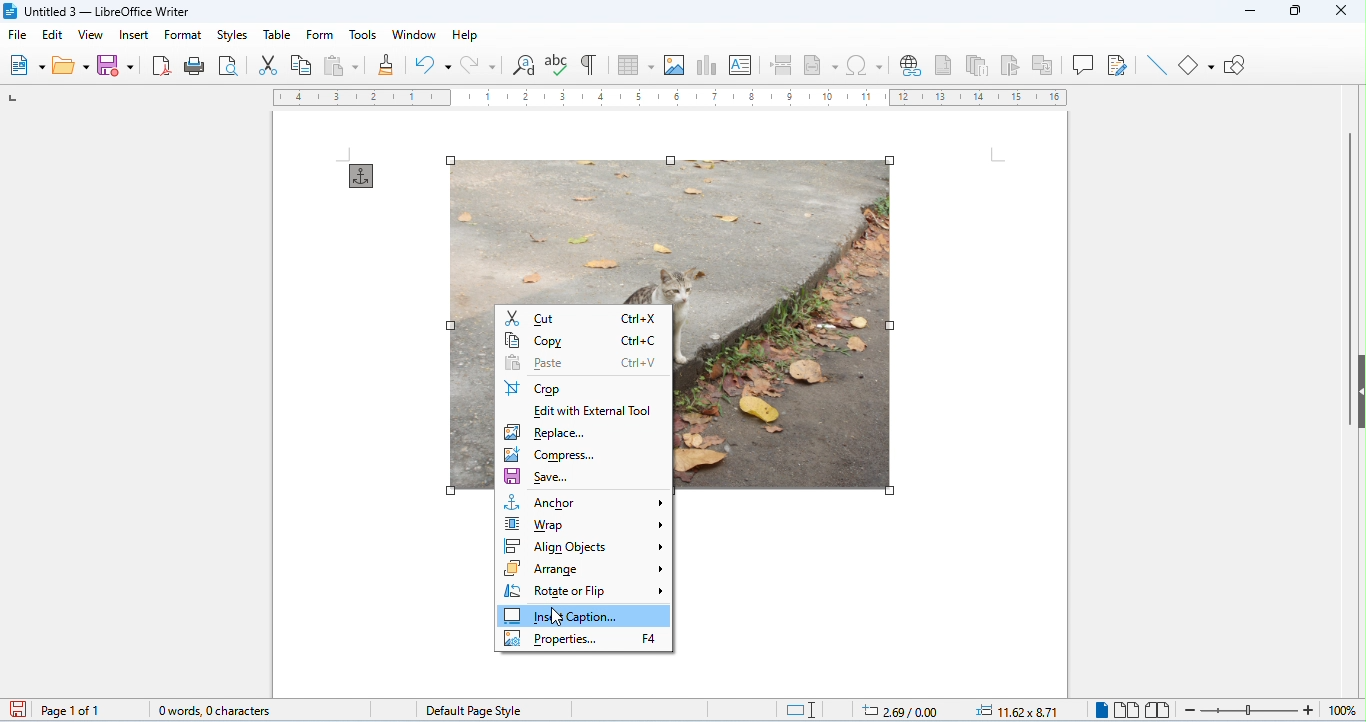 This screenshot has height=722, width=1366. I want to click on close, so click(1340, 10).